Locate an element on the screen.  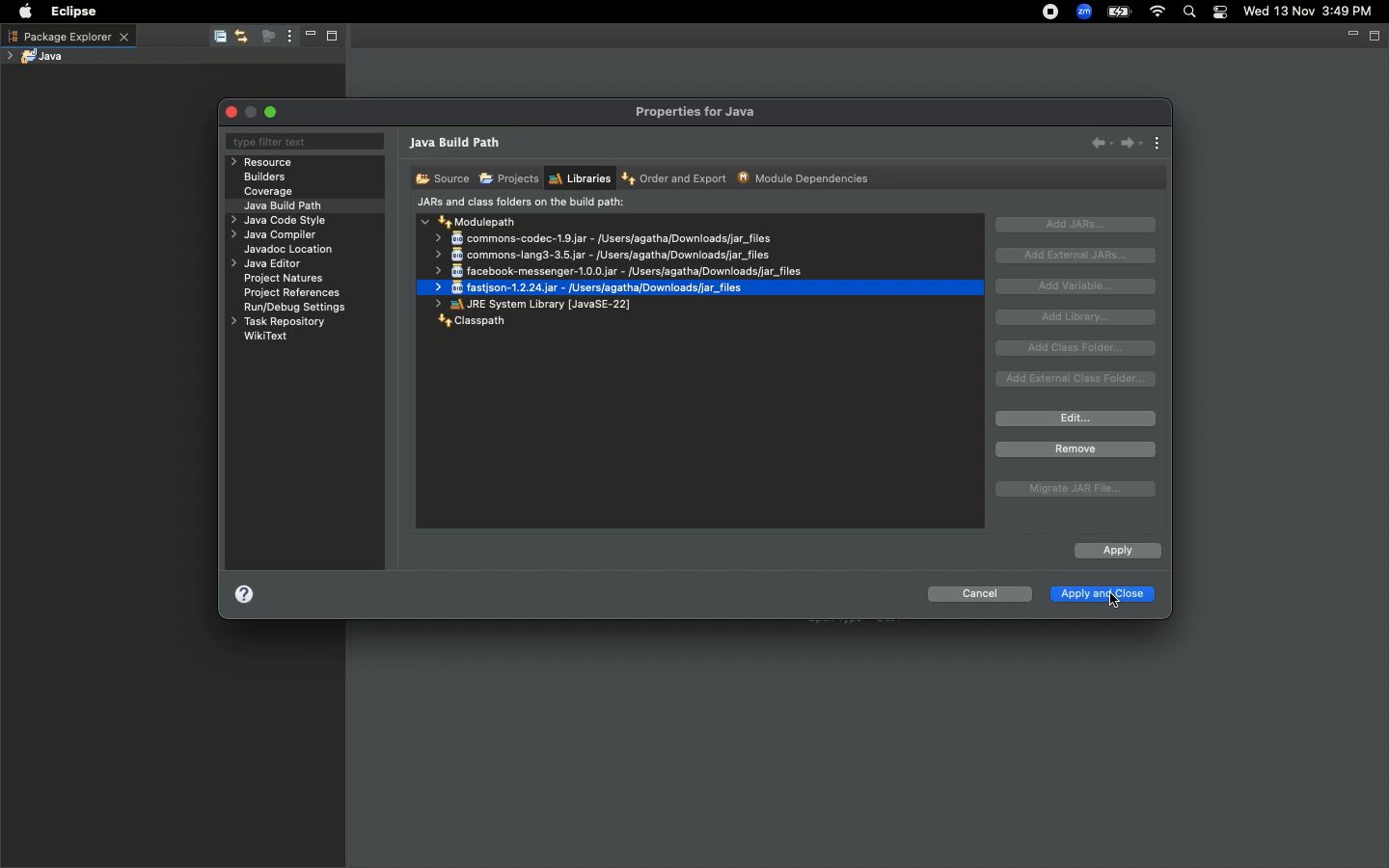
Edit is located at coordinates (1076, 419).